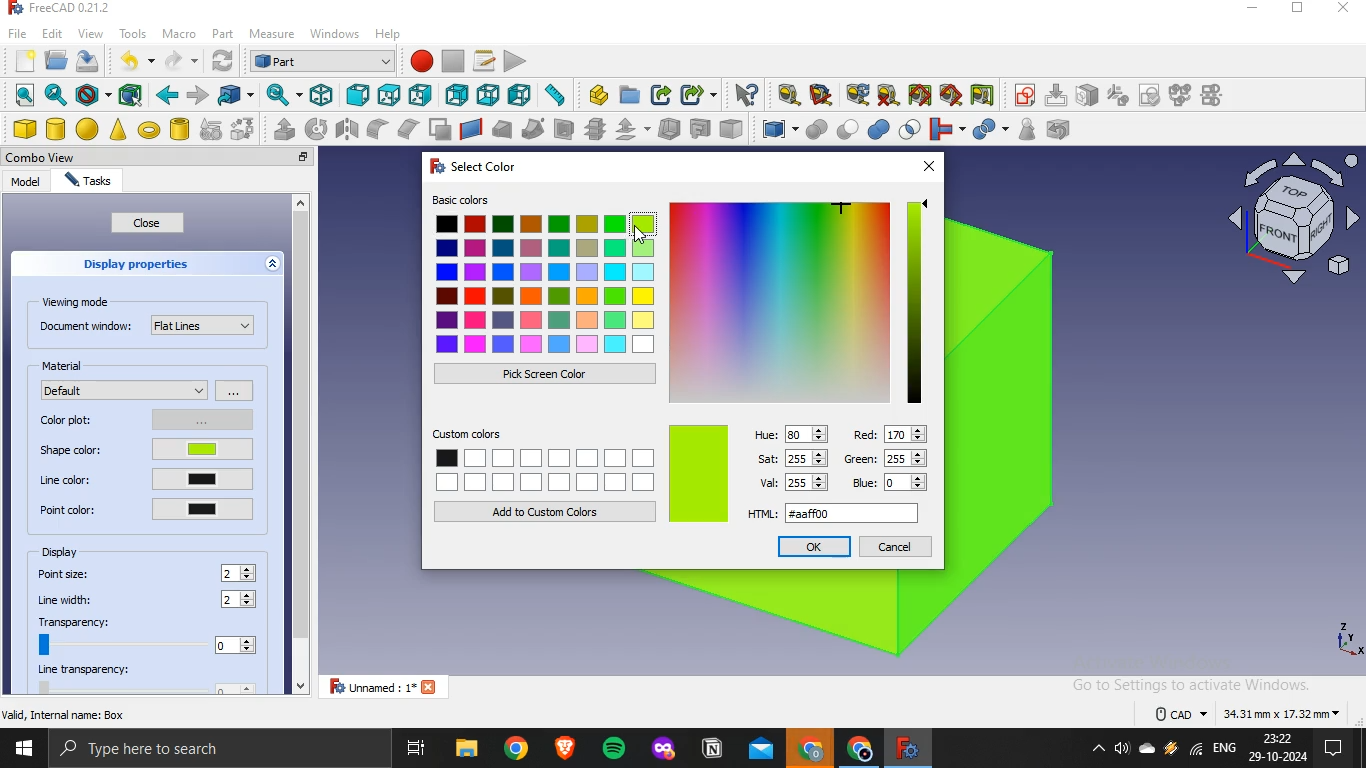  Describe the element at coordinates (1171, 749) in the screenshot. I see `winamp agent` at that location.